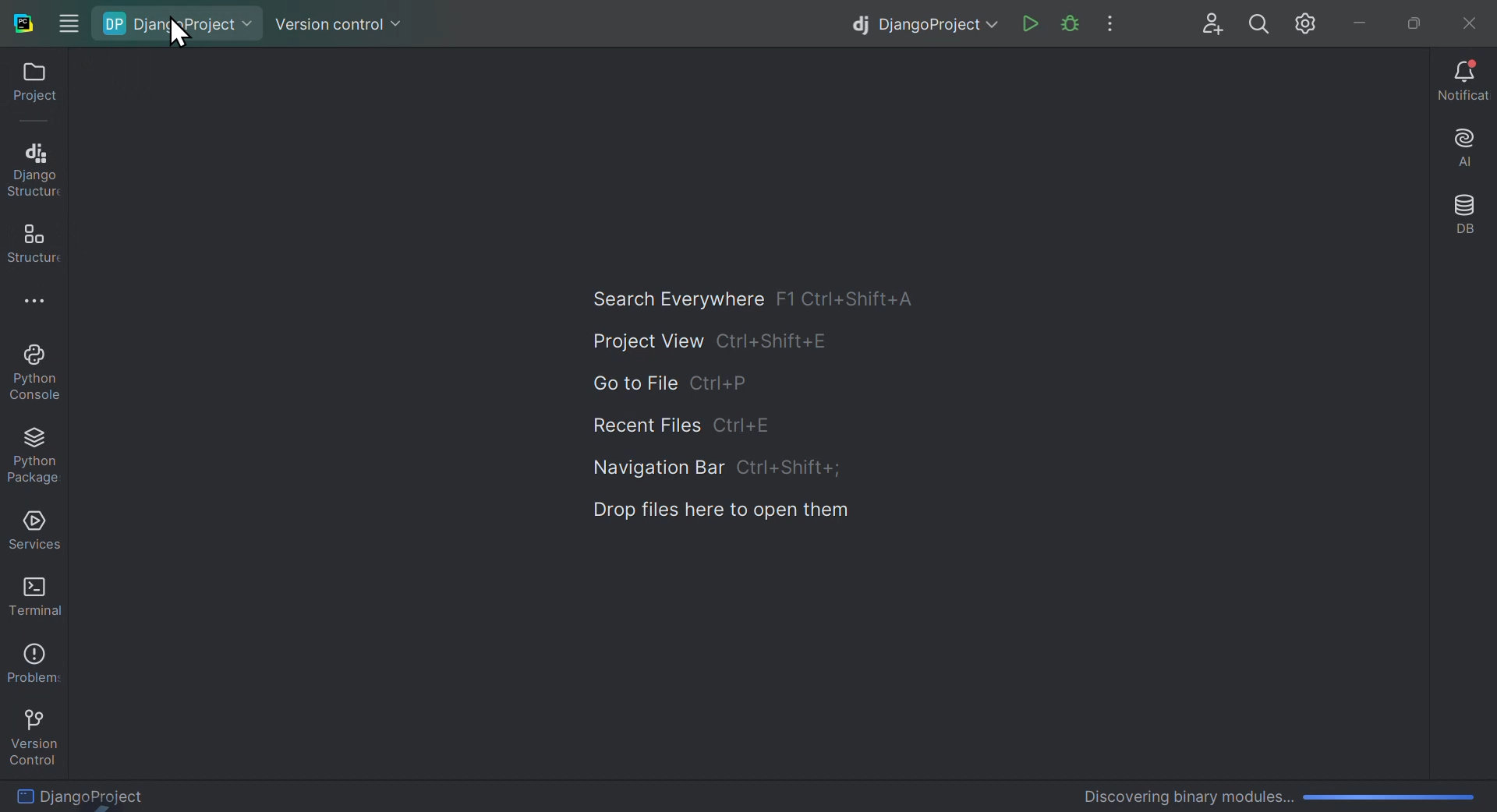  Describe the element at coordinates (645, 427) in the screenshot. I see `Recent files` at that location.